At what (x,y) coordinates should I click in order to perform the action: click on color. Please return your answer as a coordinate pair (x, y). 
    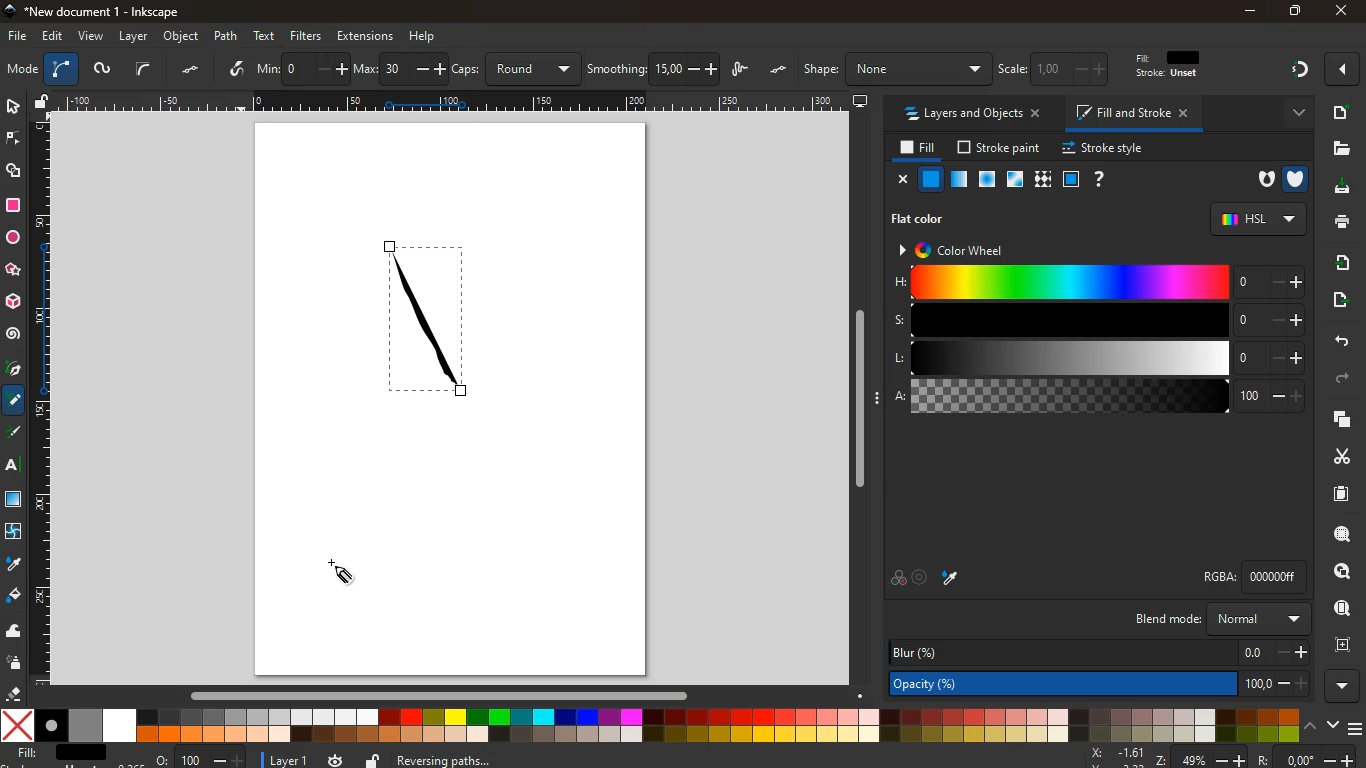
    Looking at the image, I should click on (651, 727).